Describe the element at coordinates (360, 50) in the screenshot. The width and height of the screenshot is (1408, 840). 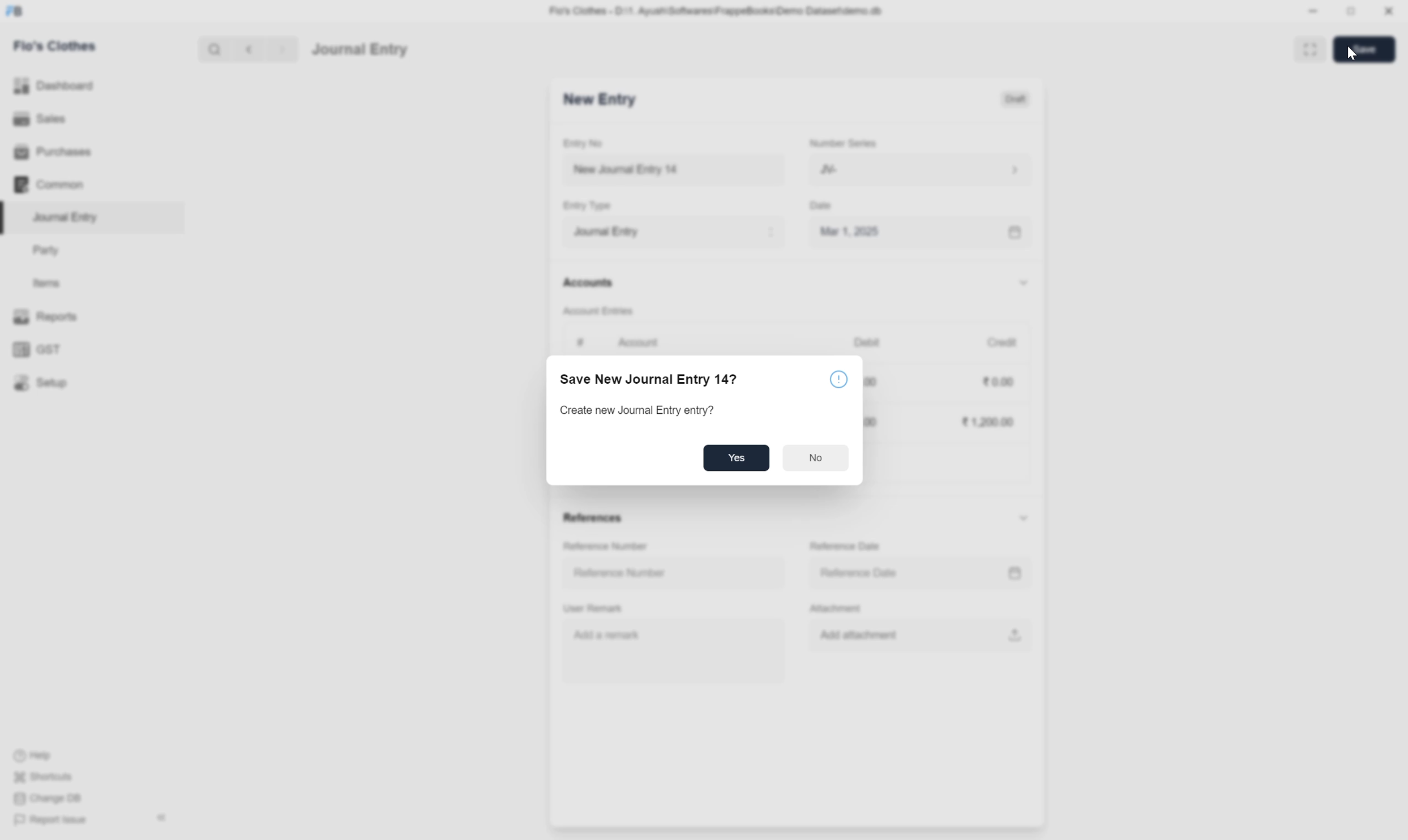
I see `Journal Entry` at that location.